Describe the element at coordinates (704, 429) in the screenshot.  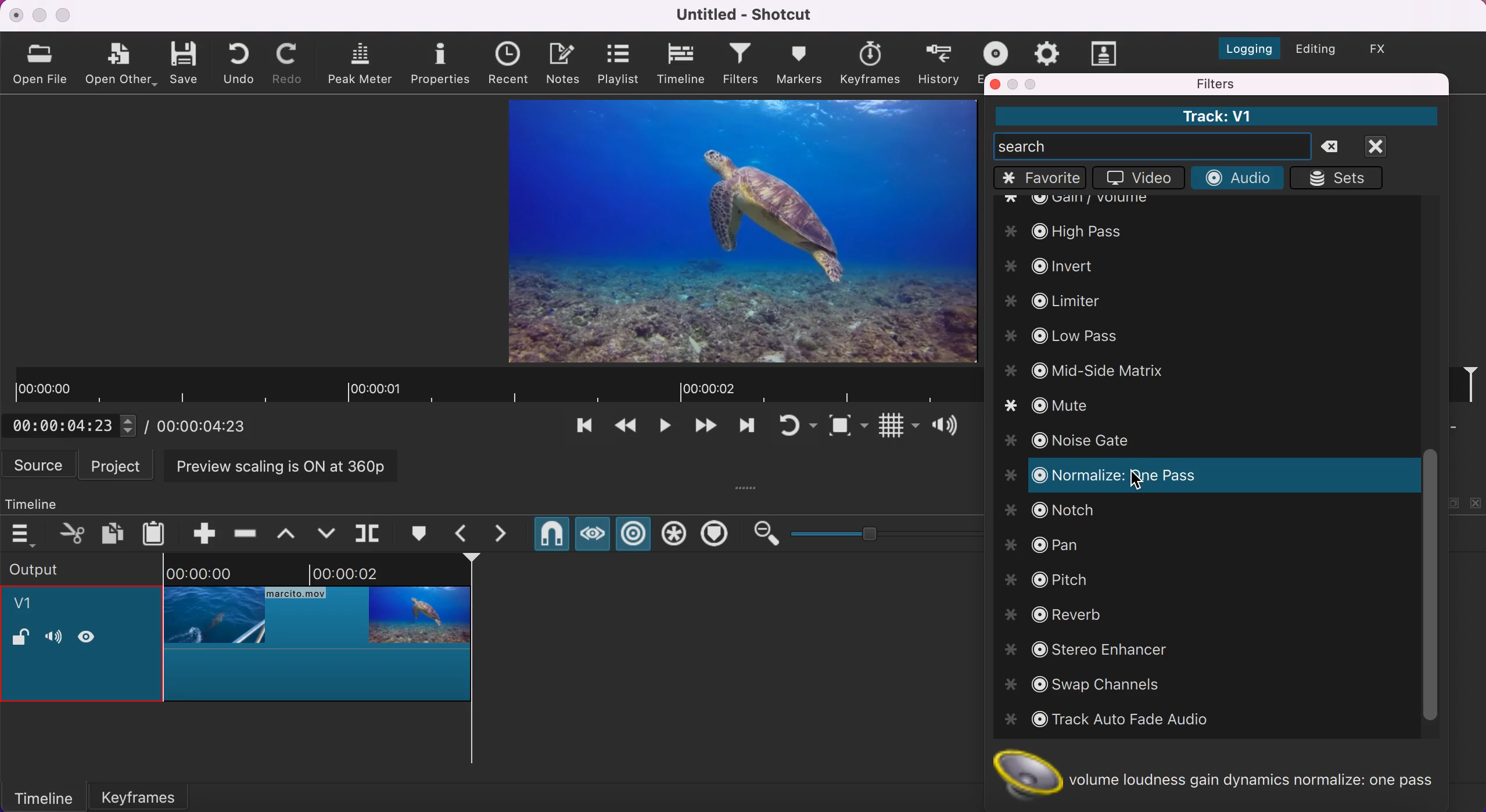
I see `skip to the next point` at that location.